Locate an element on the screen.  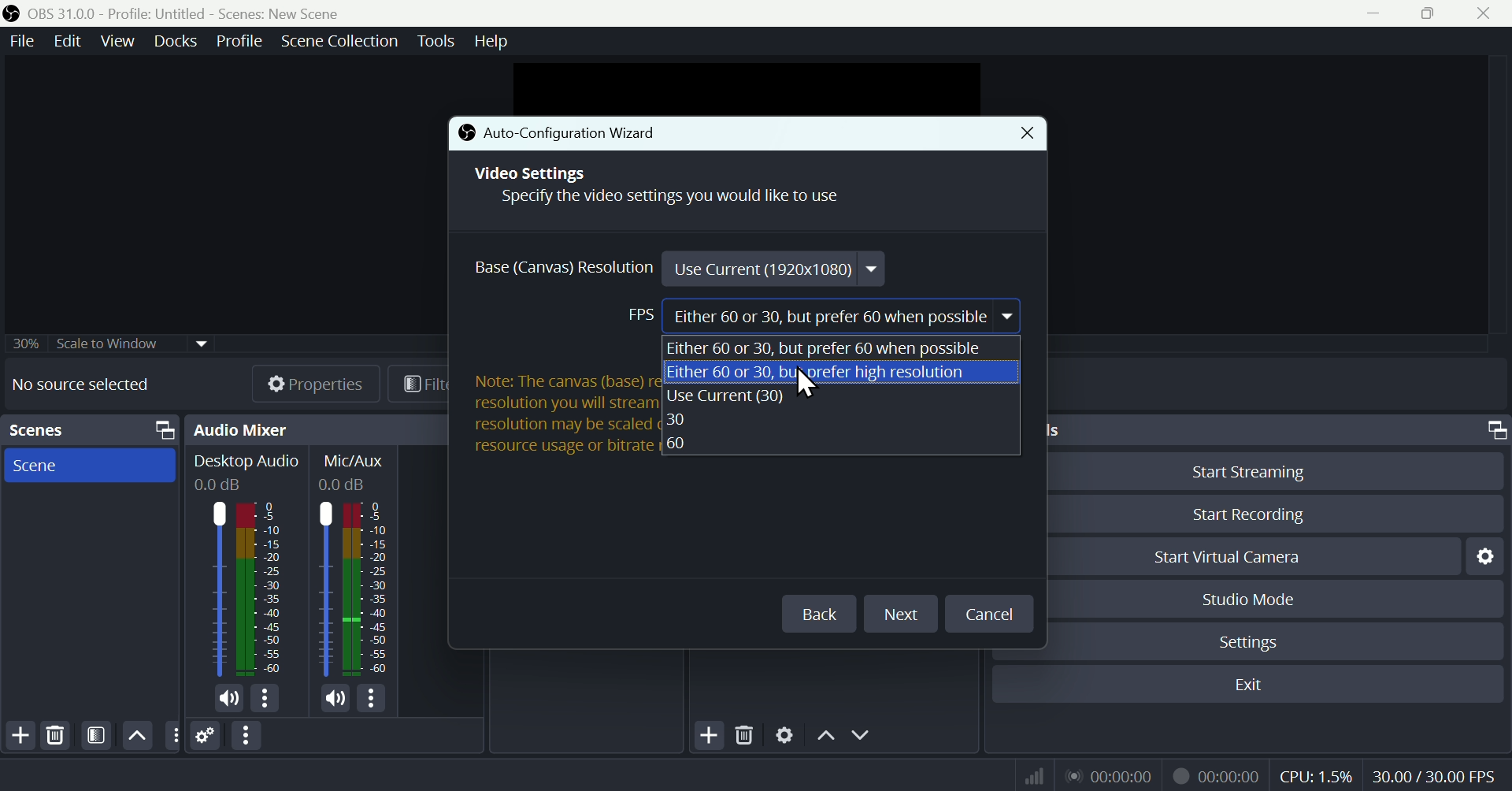
Settings is located at coordinates (1483, 556).